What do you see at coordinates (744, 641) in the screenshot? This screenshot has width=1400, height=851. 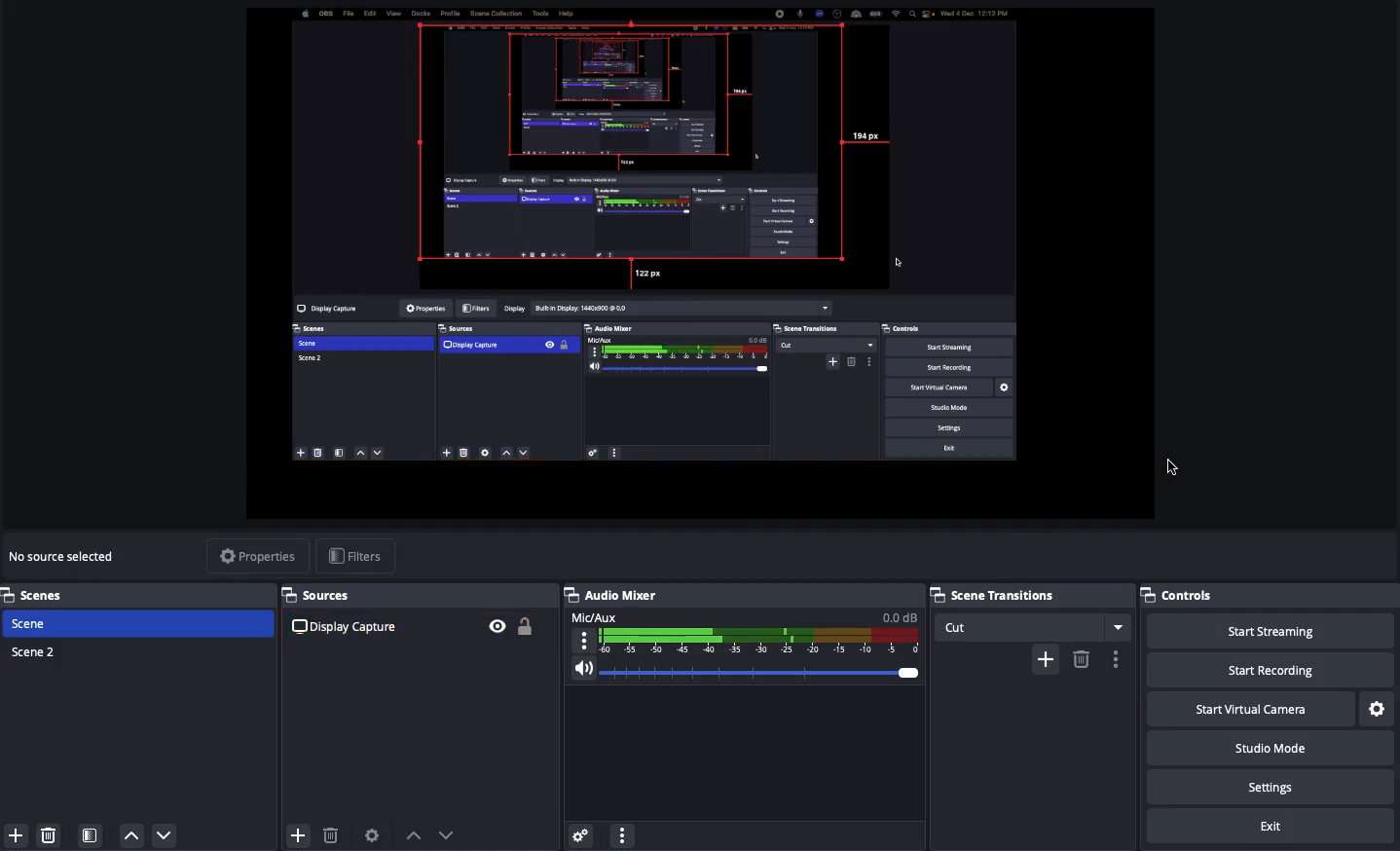 I see `Audio Mixer` at bounding box center [744, 641].